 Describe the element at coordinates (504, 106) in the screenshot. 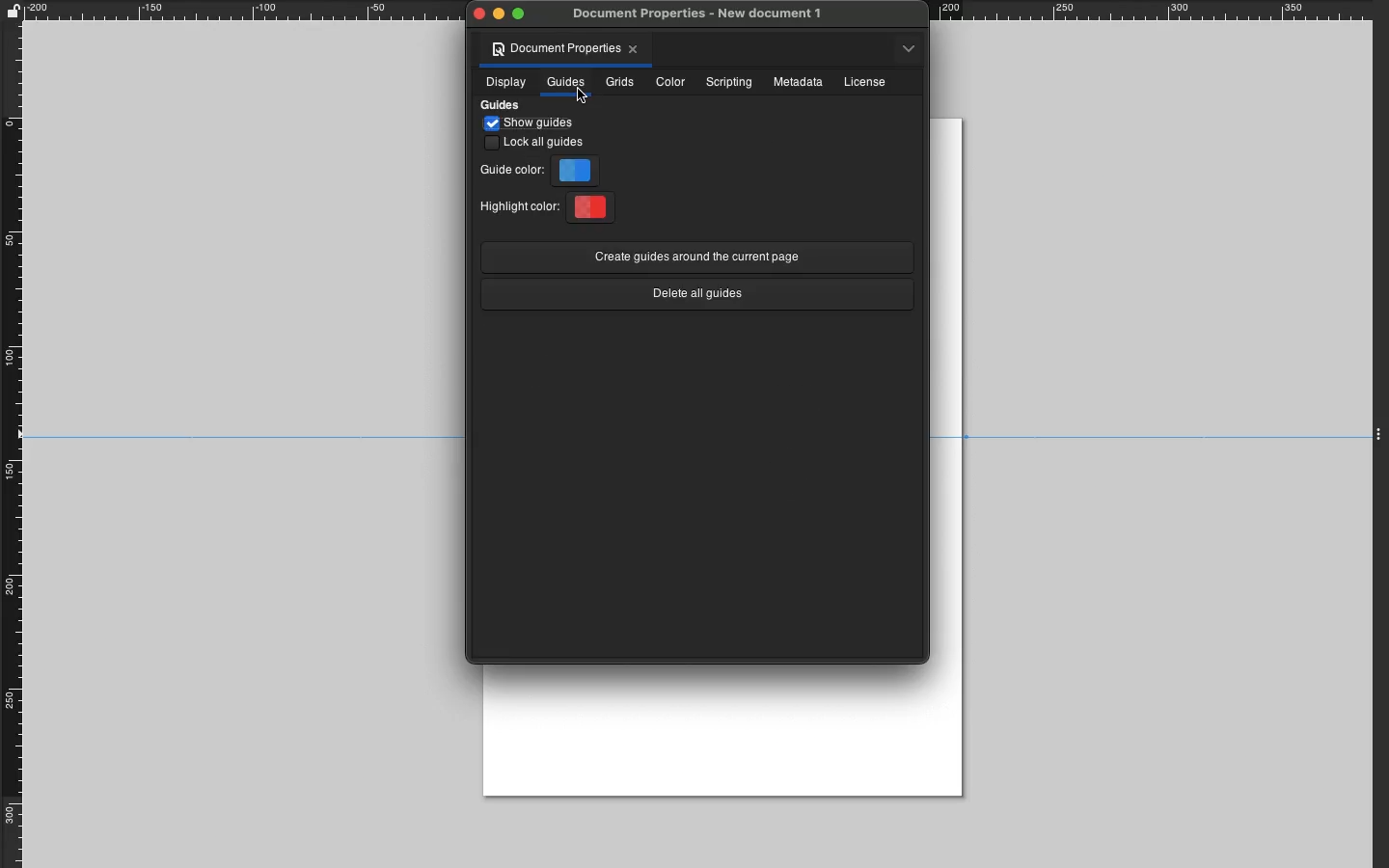

I see `Guides` at that location.